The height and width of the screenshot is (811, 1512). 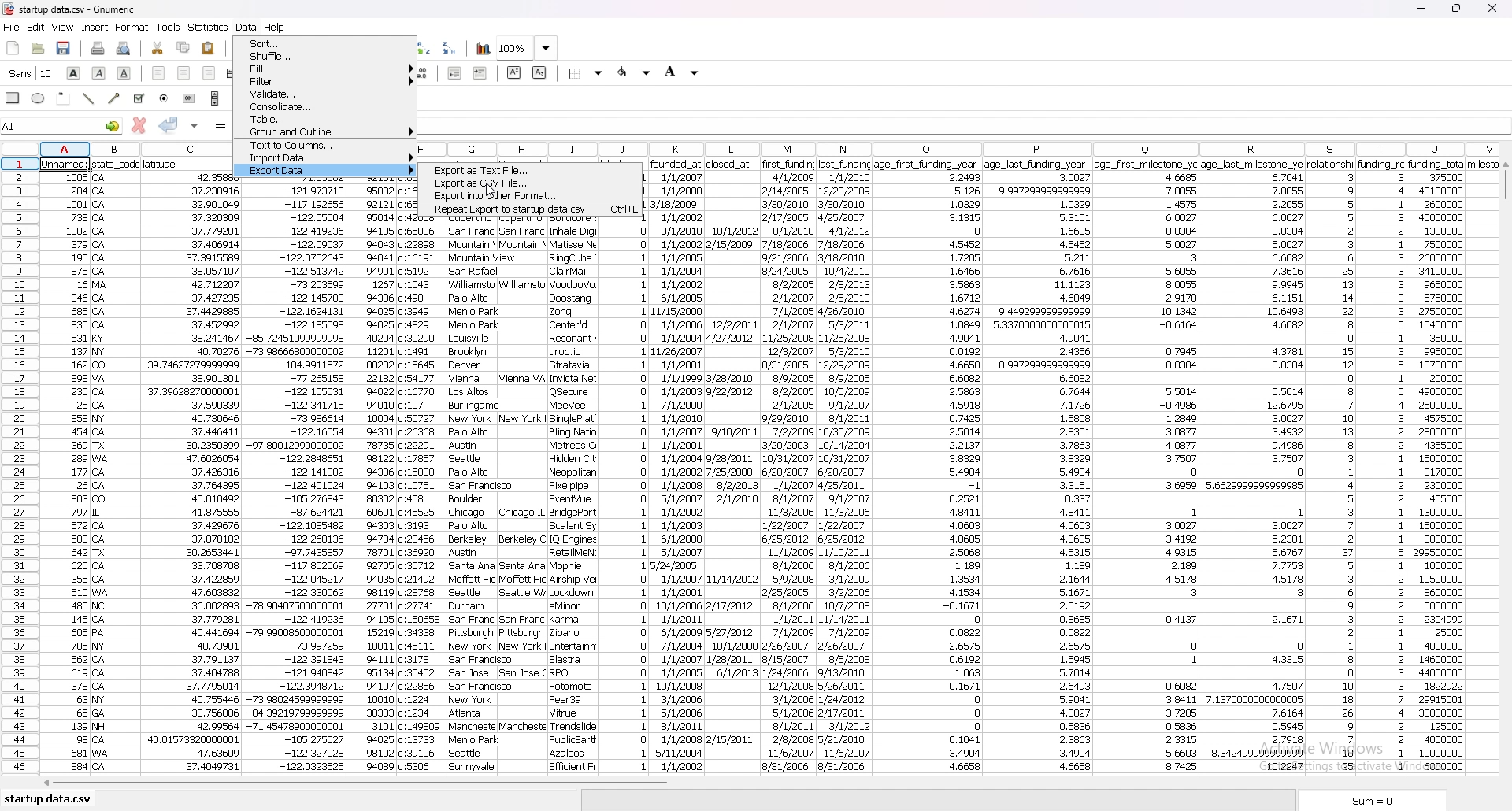 I want to click on supercript, so click(x=514, y=72).